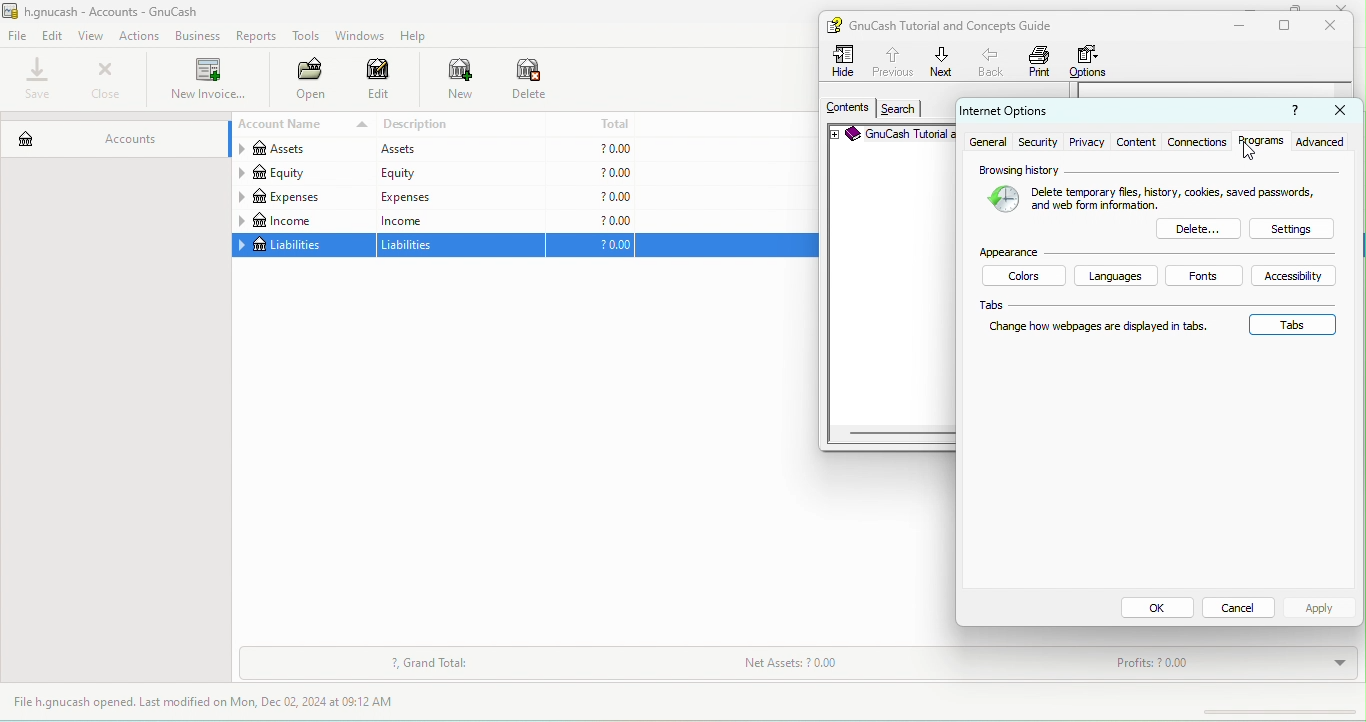  What do you see at coordinates (300, 151) in the screenshot?
I see `assets` at bounding box center [300, 151].